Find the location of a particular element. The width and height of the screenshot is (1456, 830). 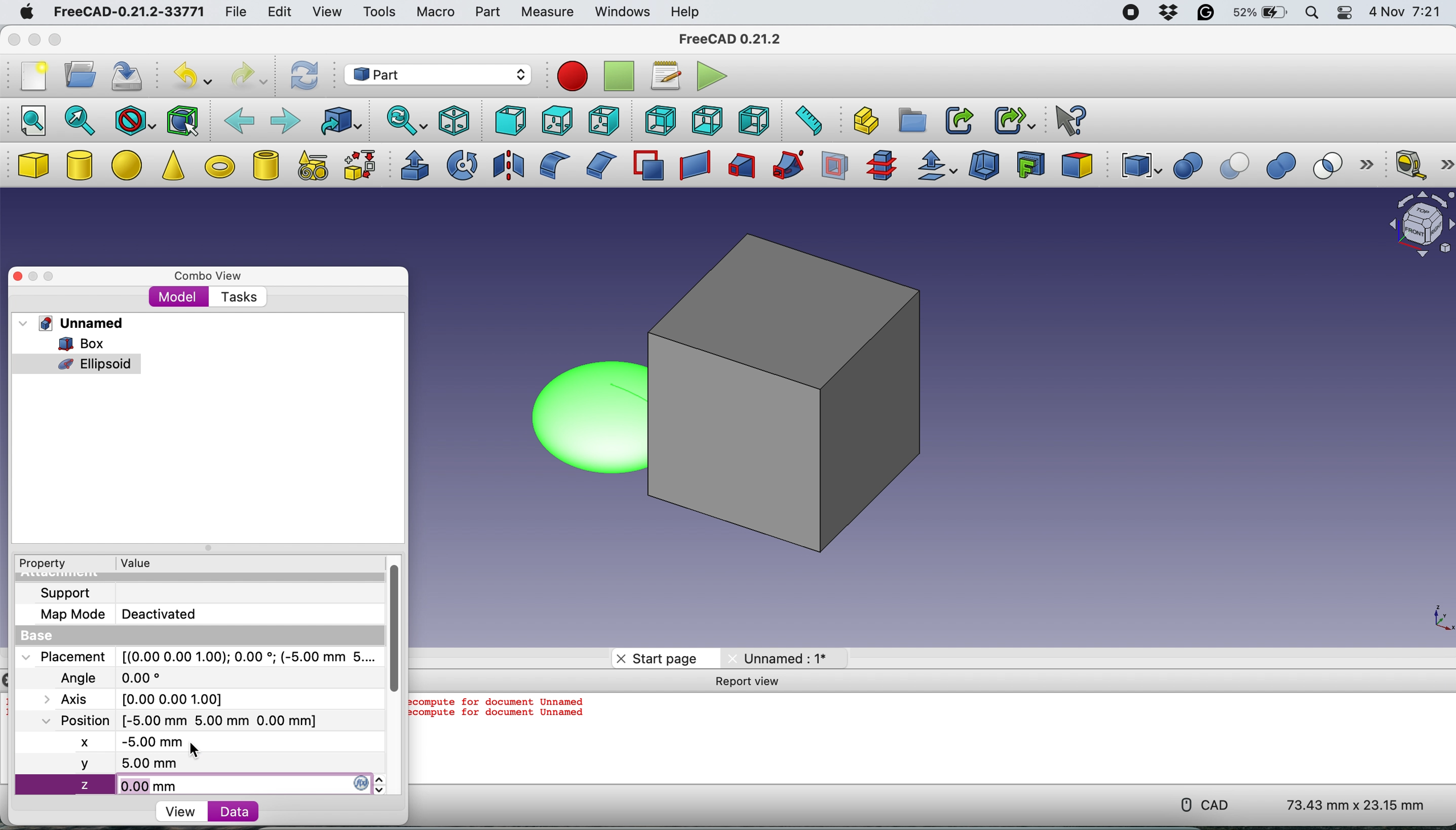

isometric view is located at coordinates (455, 120).